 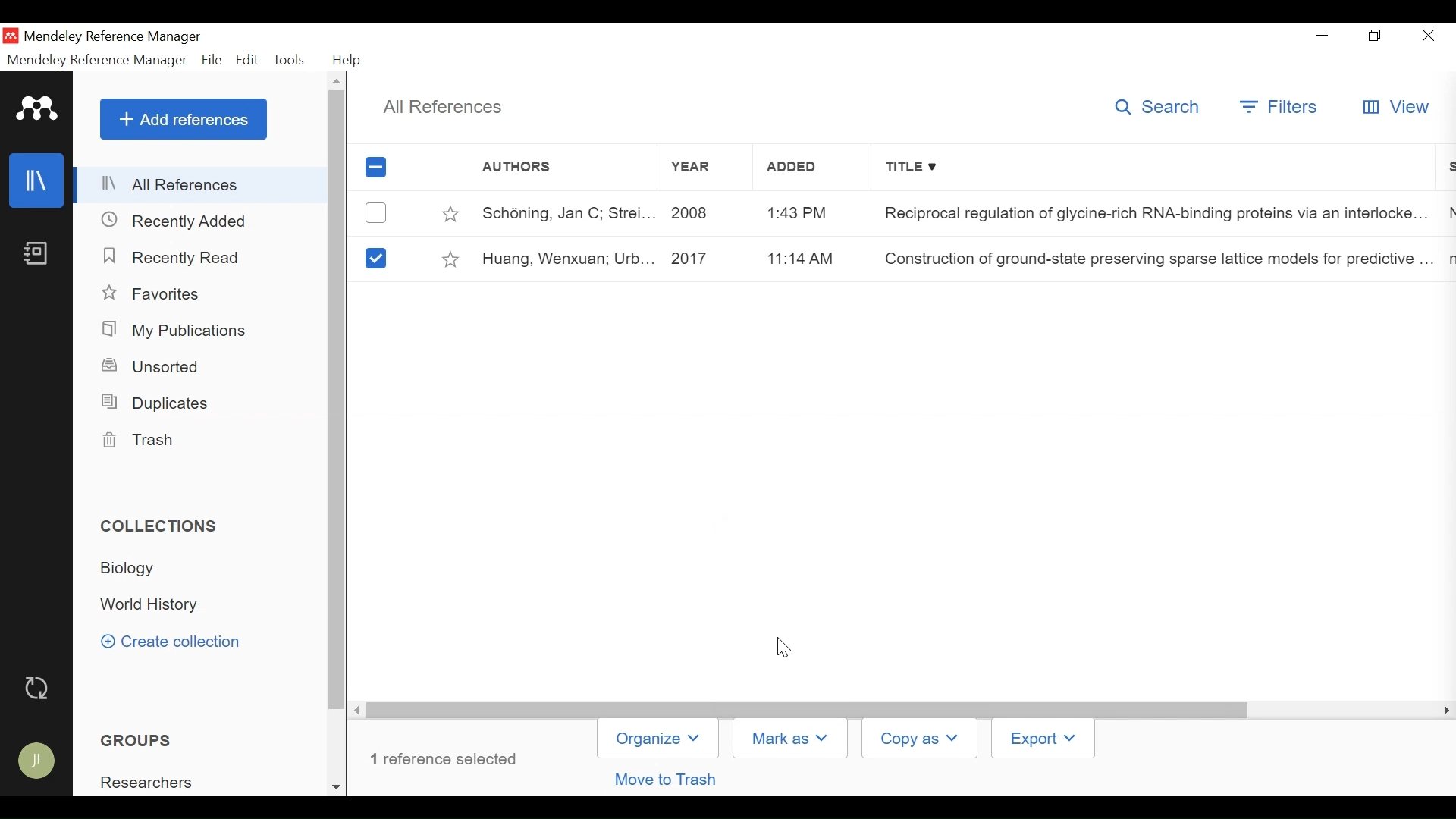 What do you see at coordinates (11, 37) in the screenshot?
I see `Mendeley Desktop Icon` at bounding box center [11, 37].